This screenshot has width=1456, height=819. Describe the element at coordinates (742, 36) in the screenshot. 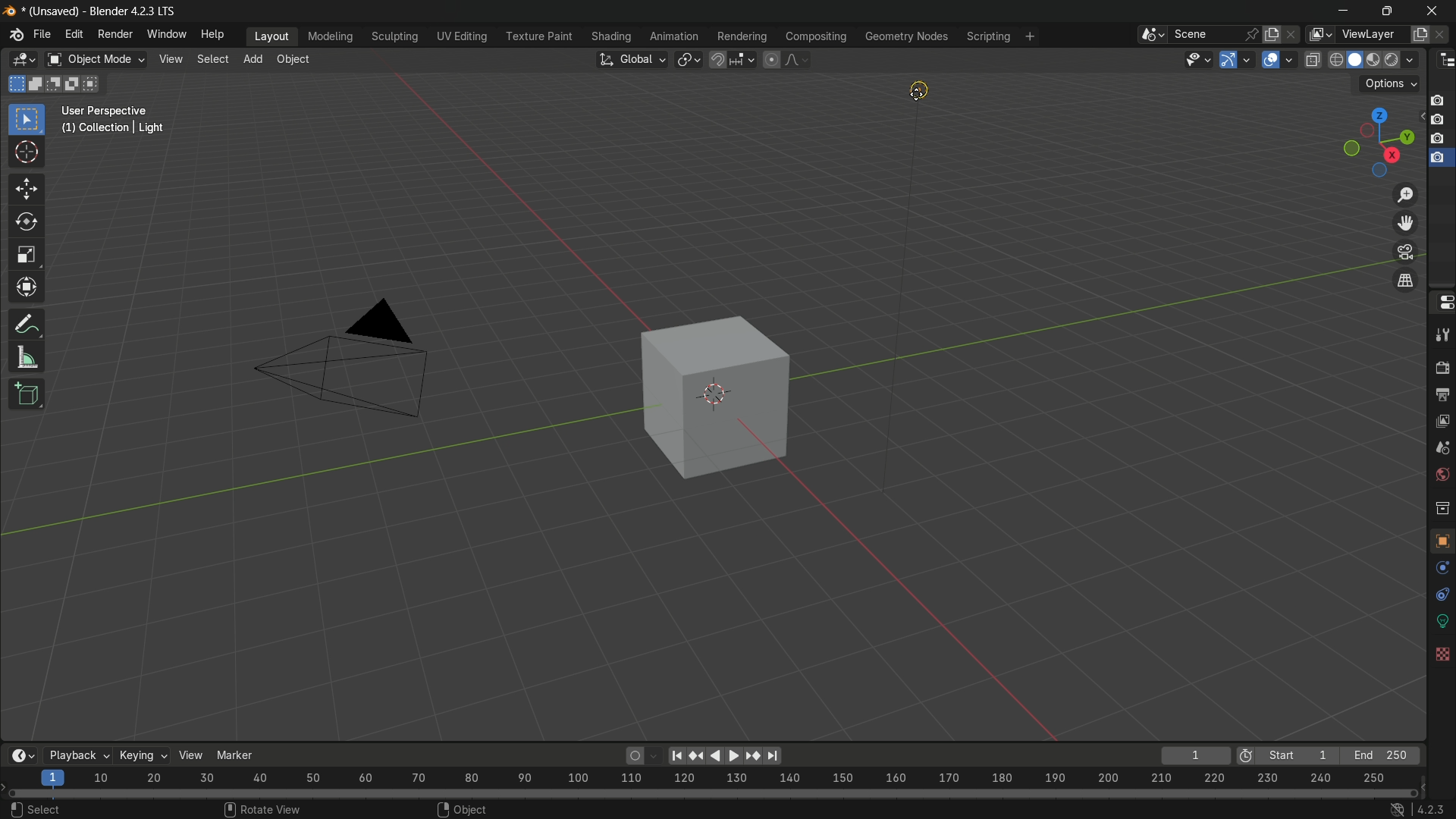

I see `rendering menu` at that location.